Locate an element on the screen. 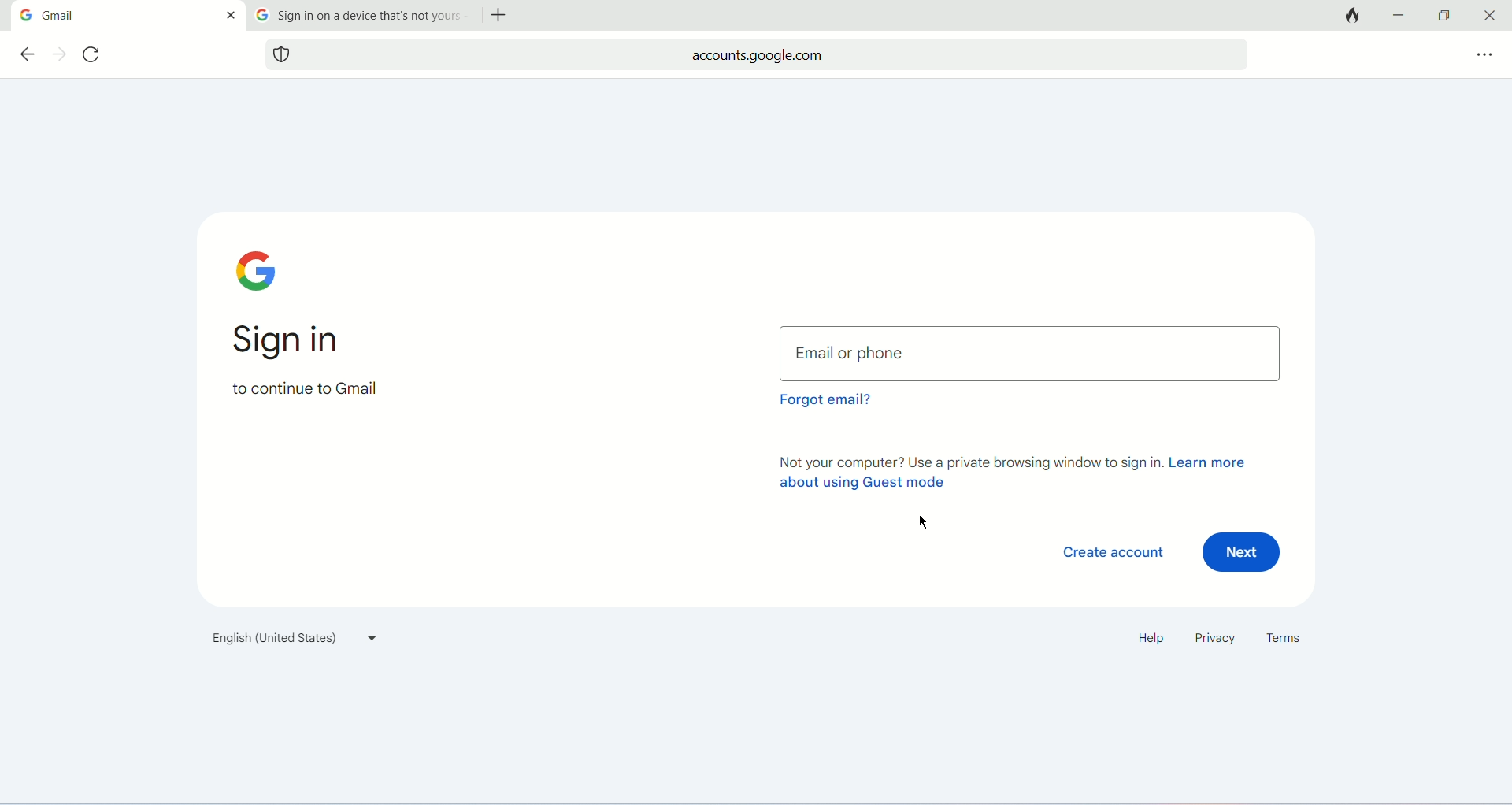  terms is located at coordinates (1288, 639).